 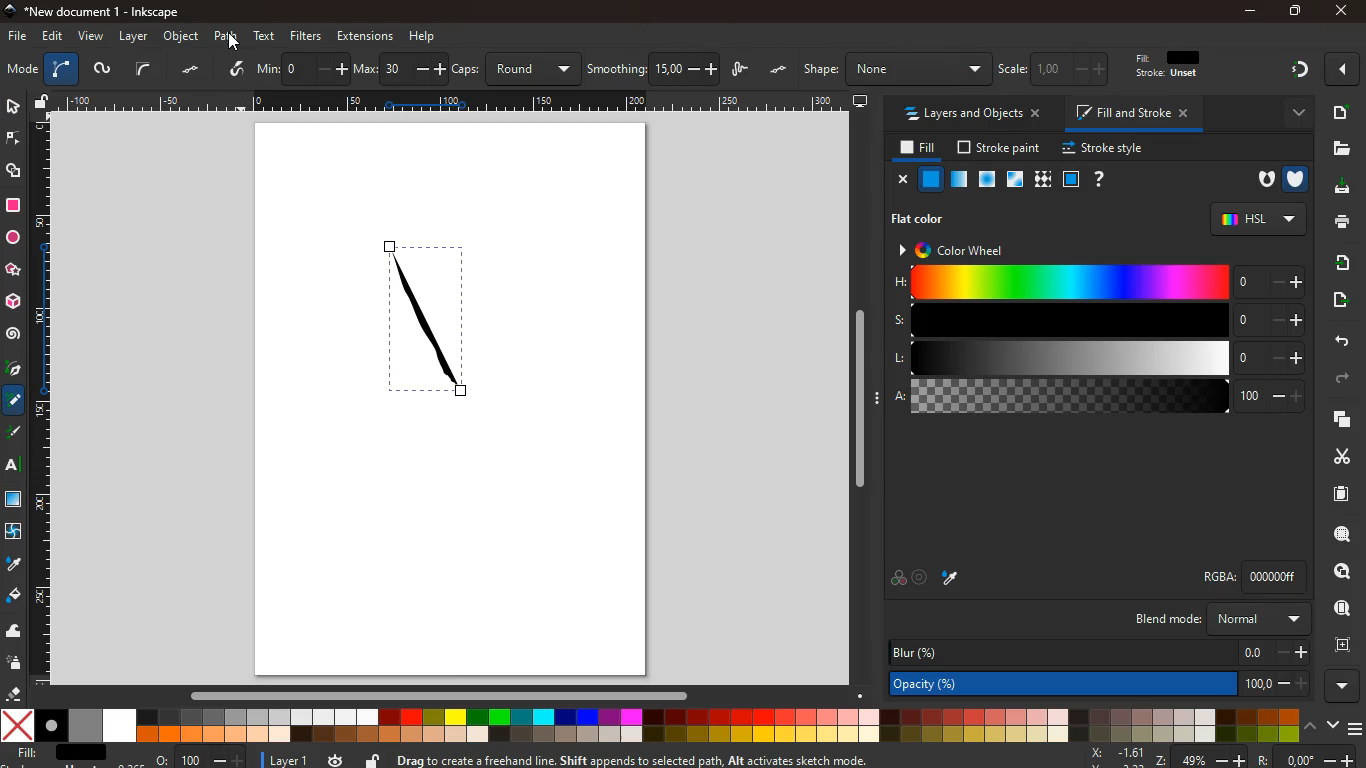 I want to click on diagram, so click(x=1299, y=72).